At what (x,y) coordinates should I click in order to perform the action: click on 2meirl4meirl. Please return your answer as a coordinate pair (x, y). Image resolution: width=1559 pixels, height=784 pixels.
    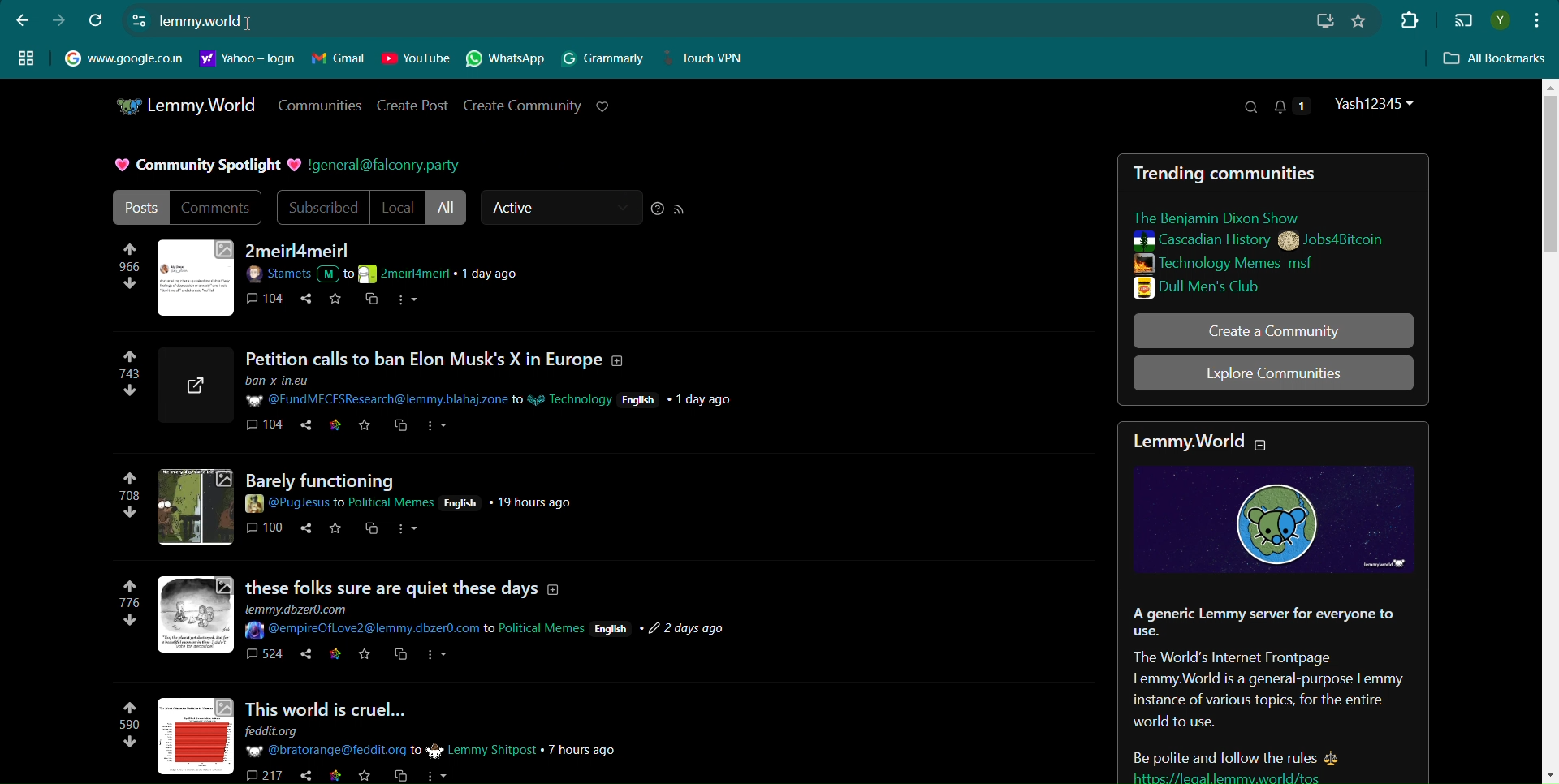
    Looking at the image, I should click on (301, 251).